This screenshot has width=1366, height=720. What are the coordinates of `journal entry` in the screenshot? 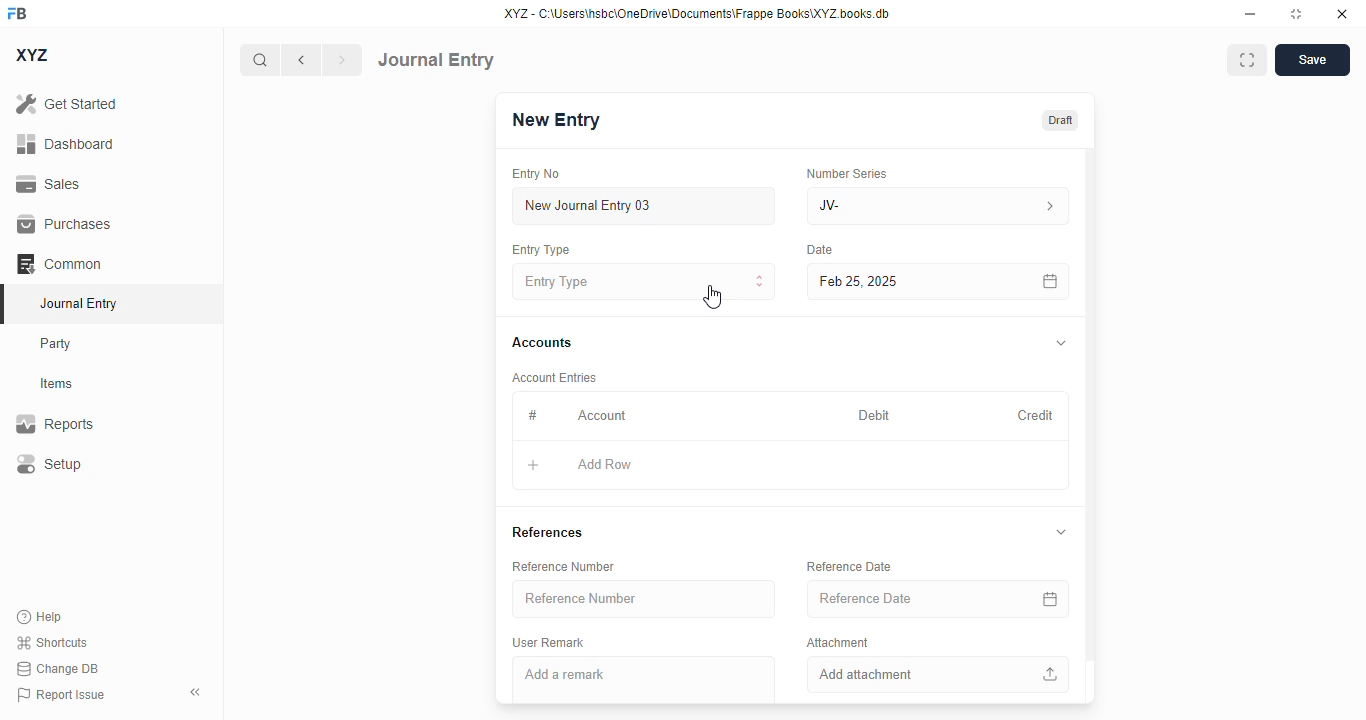 It's located at (436, 60).